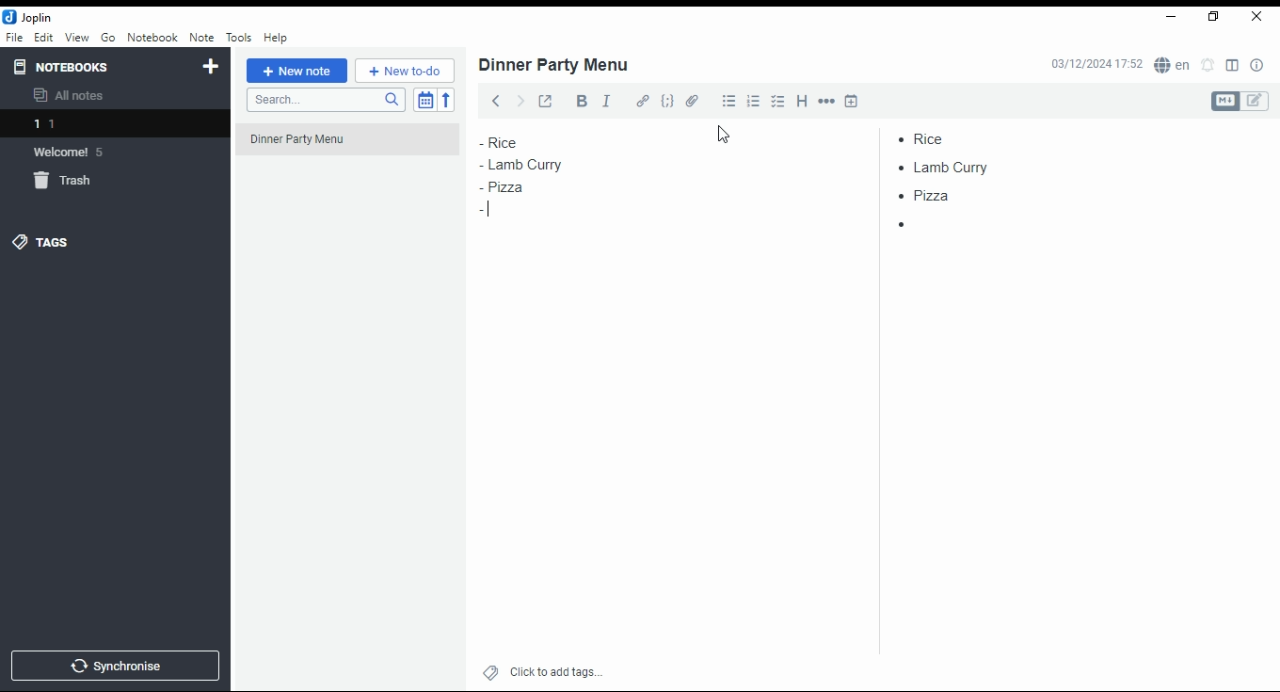 This screenshot has height=692, width=1280. I want to click on tools, so click(238, 36).